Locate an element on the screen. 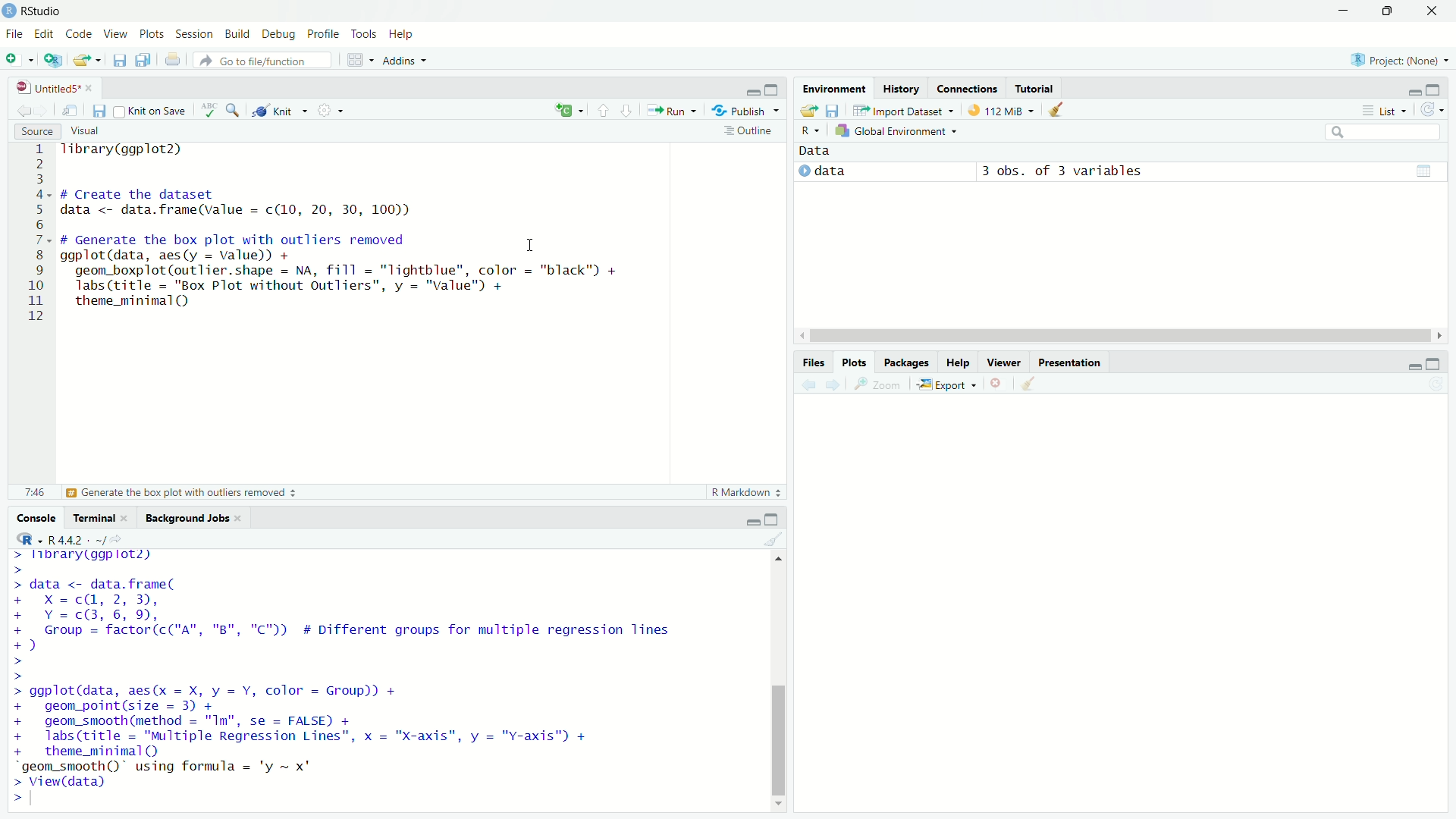  Terminal is located at coordinates (96, 519).